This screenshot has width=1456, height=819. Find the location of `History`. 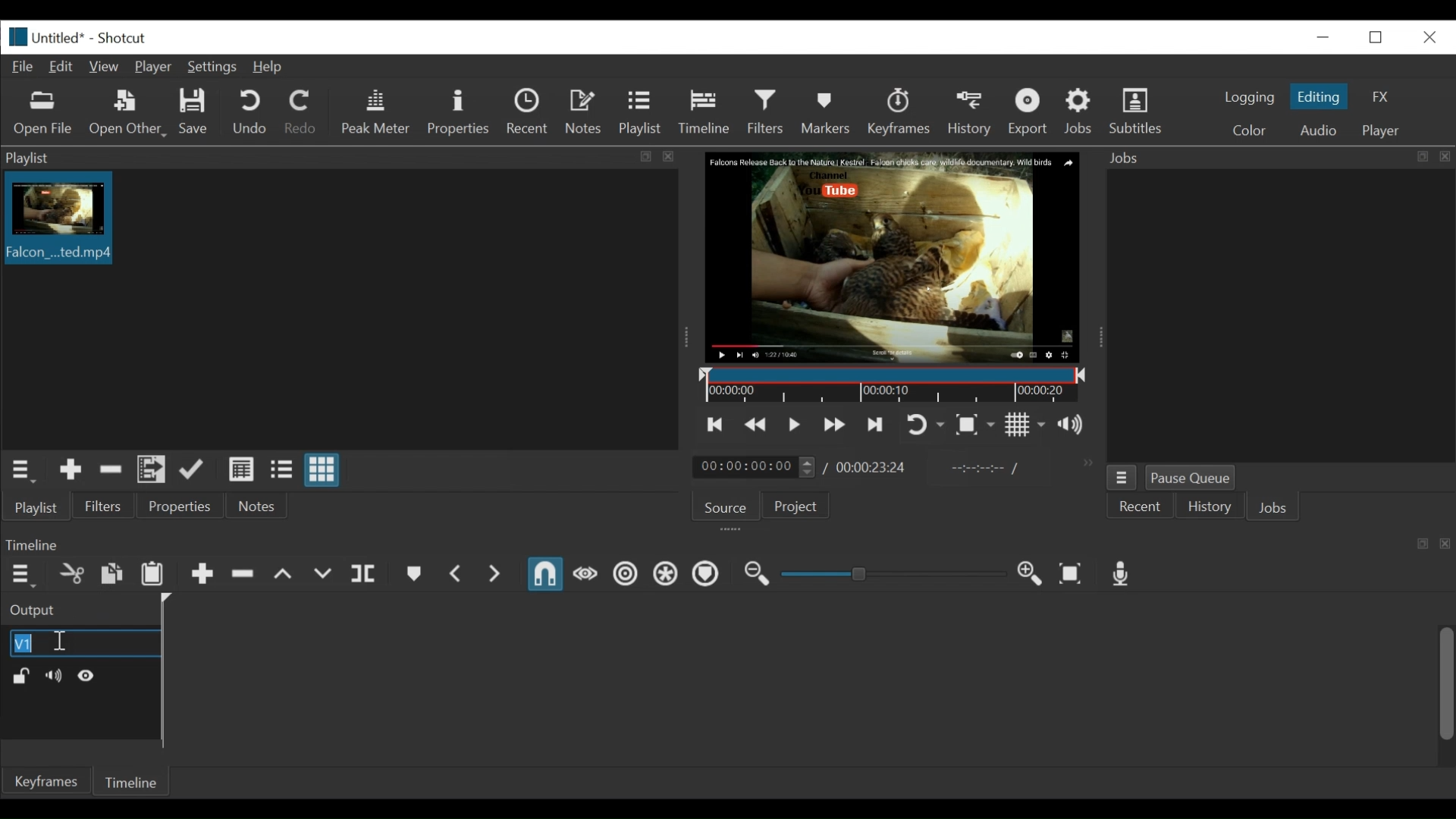

History is located at coordinates (1208, 507).